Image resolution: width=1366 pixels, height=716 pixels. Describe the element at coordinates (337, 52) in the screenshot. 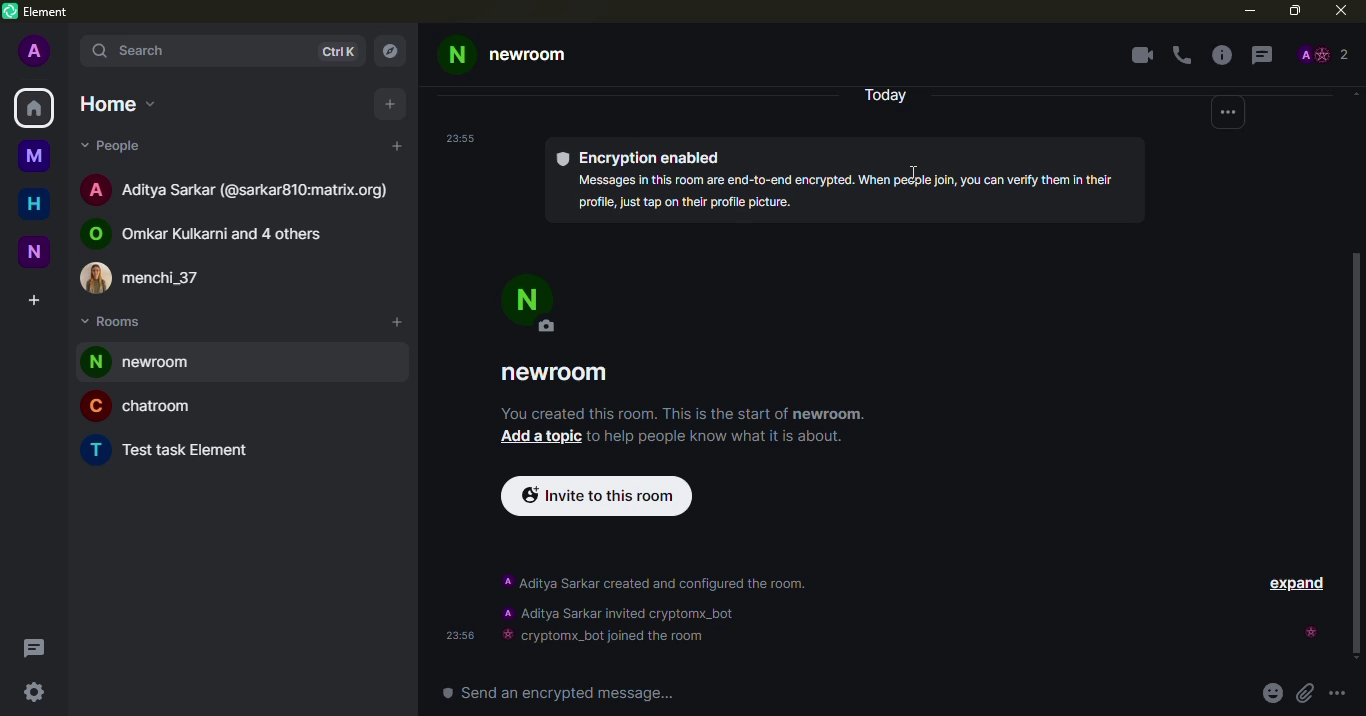

I see `ctrlK` at that location.